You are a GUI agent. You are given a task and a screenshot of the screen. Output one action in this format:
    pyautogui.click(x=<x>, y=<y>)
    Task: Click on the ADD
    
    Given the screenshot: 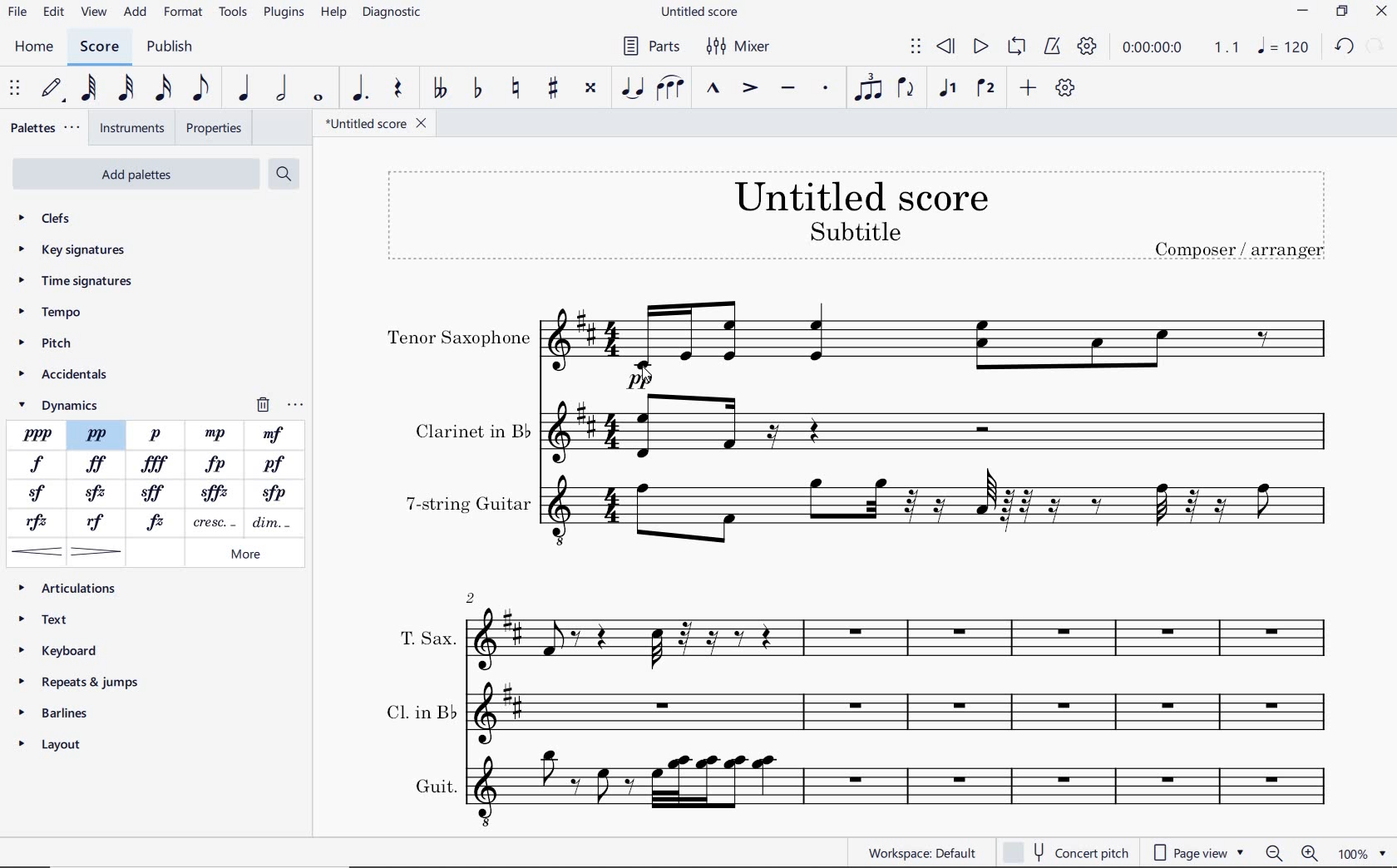 What is the action you would take?
    pyautogui.click(x=1029, y=86)
    